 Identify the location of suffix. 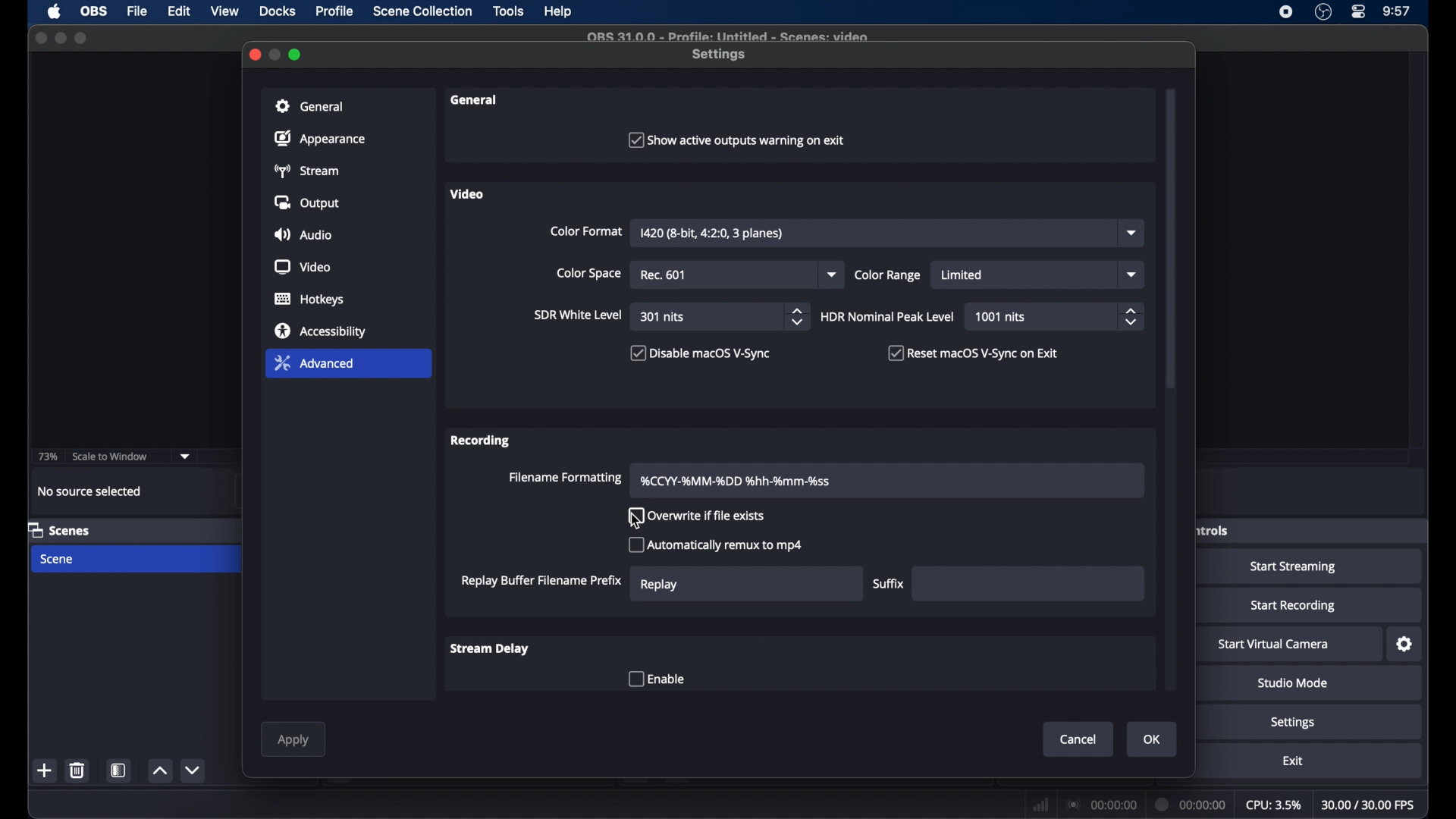
(891, 583).